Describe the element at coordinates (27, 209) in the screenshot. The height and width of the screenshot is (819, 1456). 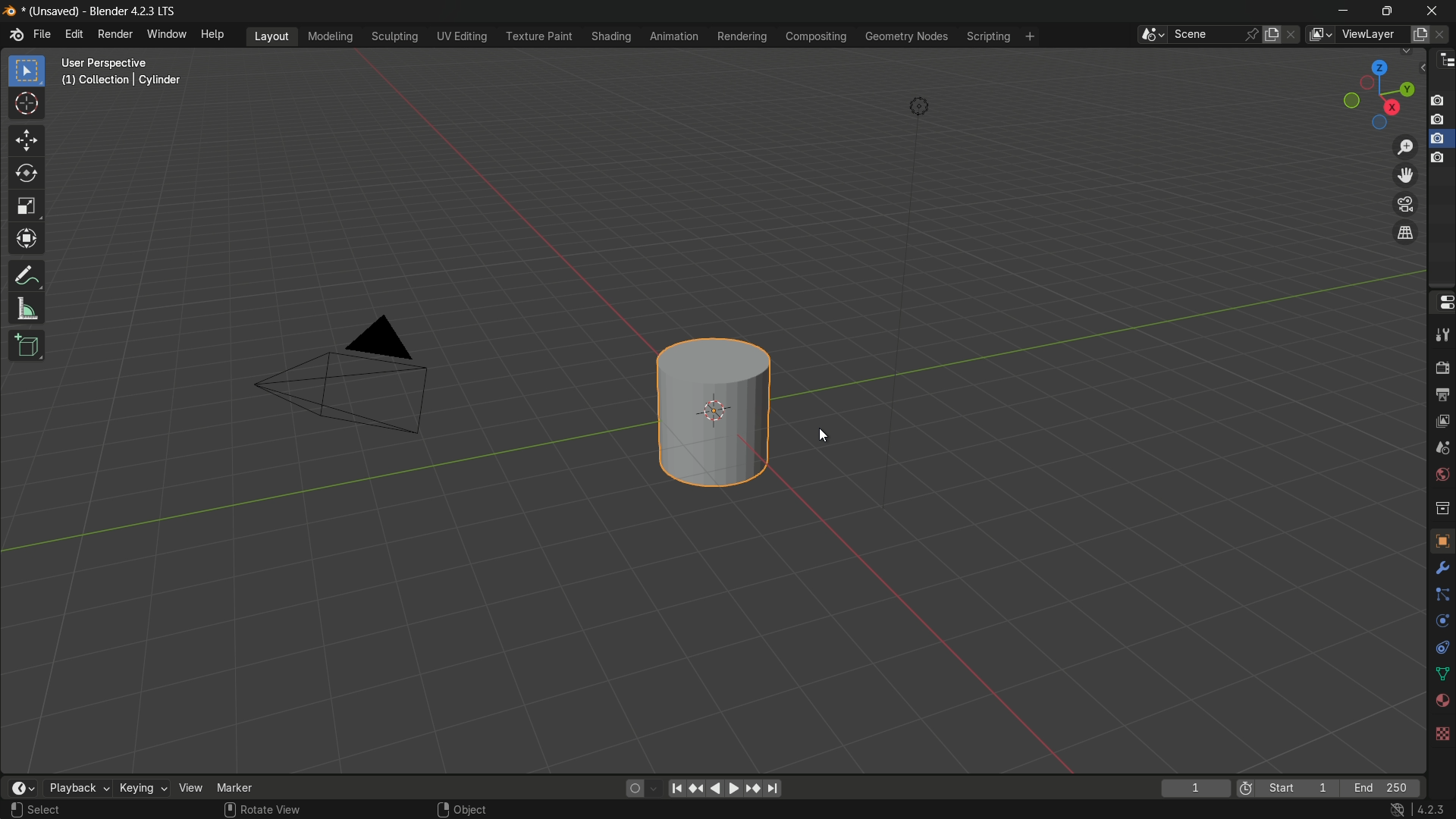
I see `scale` at that location.